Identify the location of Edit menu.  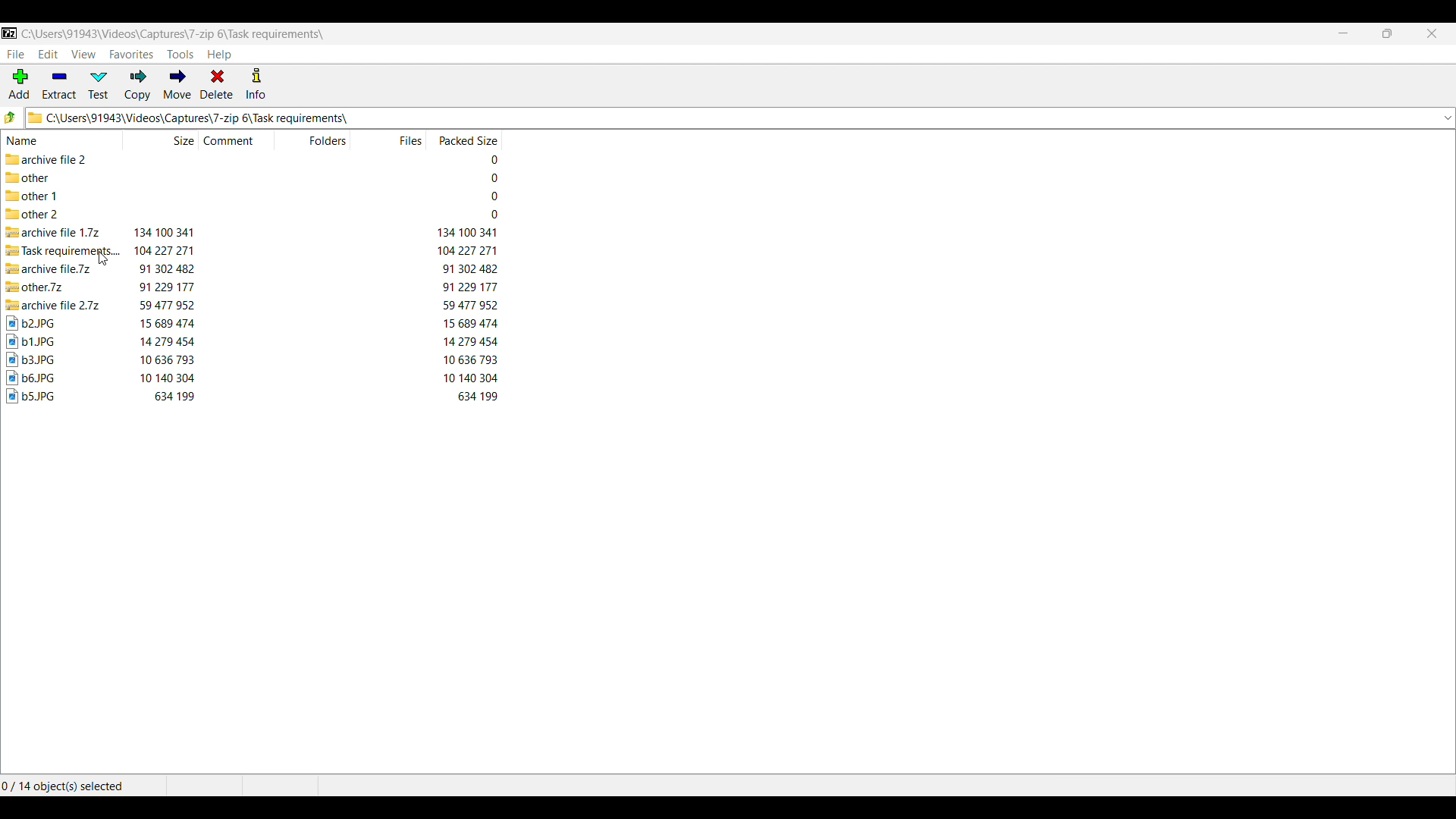
(49, 55).